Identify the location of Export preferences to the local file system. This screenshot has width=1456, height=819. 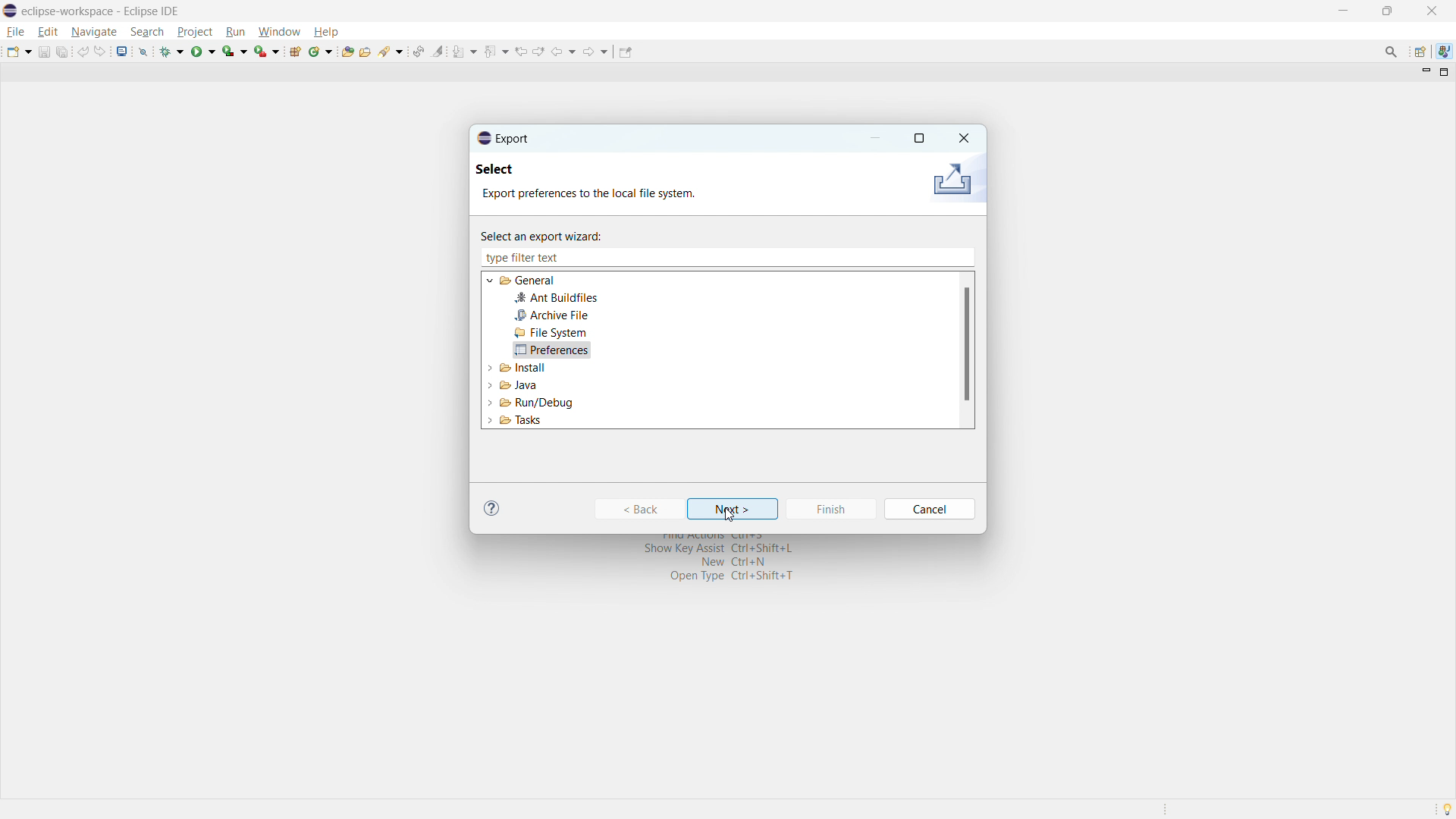
(589, 195).